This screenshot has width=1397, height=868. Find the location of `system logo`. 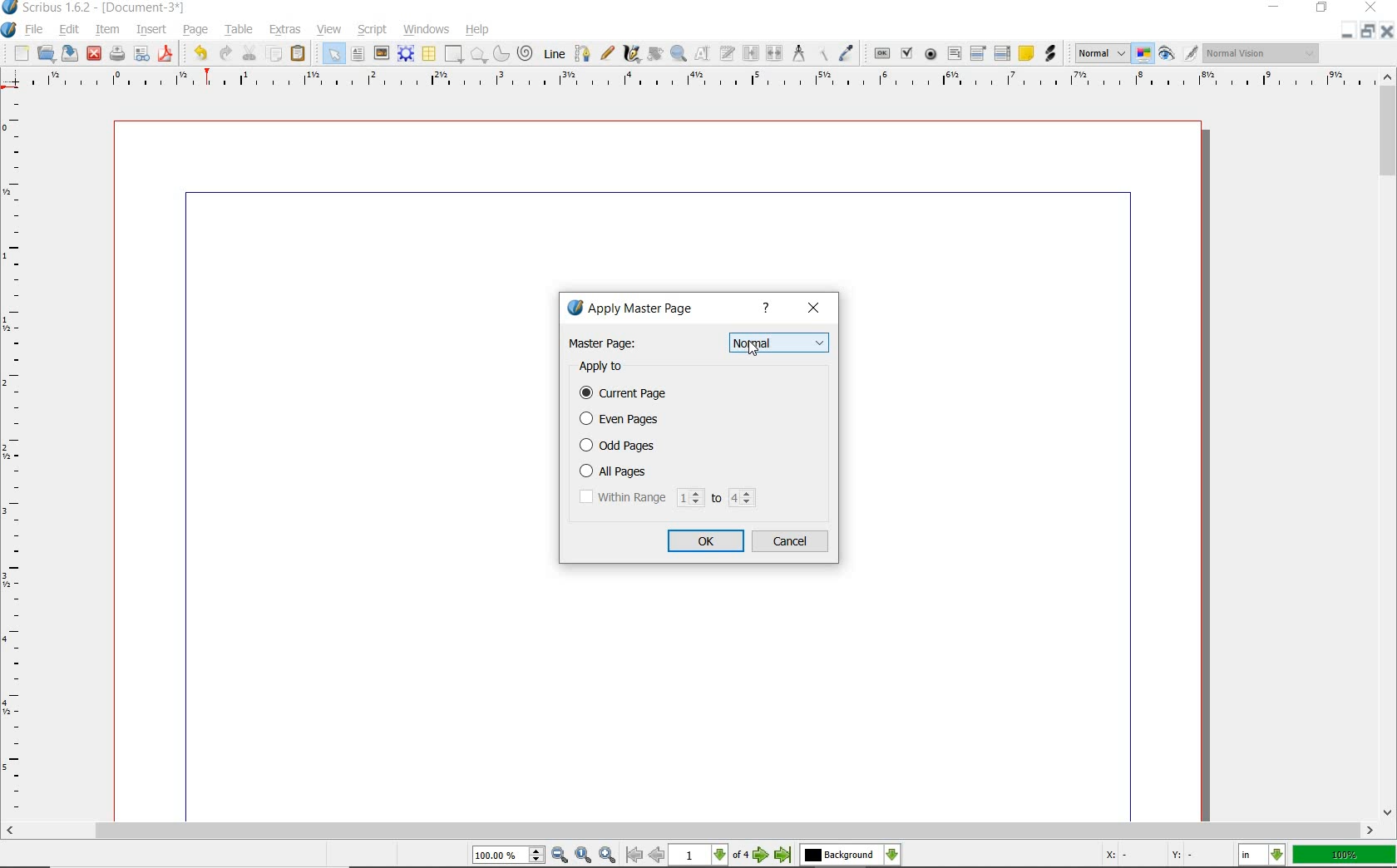

system logo is located at coordinates (9, 31).